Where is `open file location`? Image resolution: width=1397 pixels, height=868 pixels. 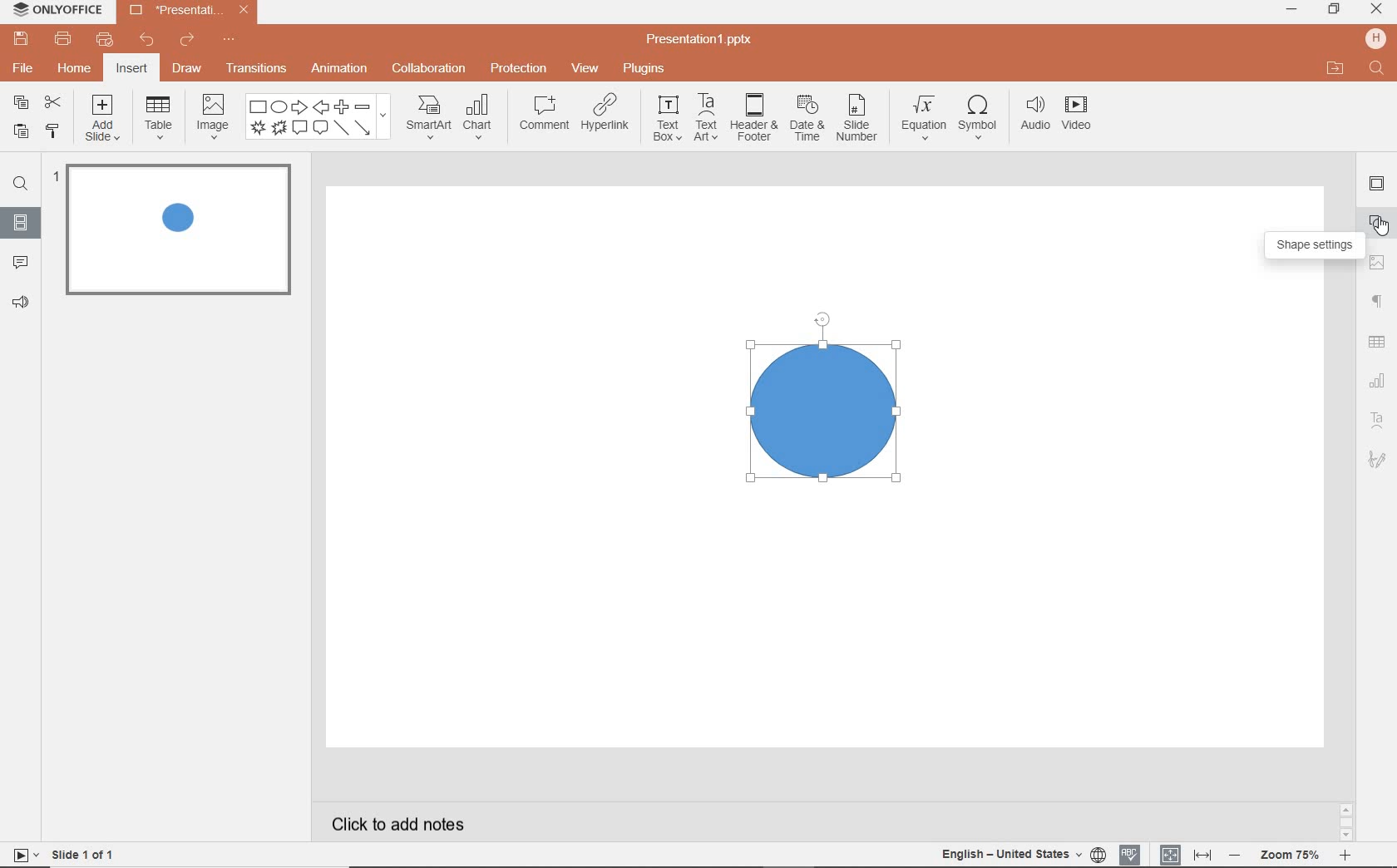
open file location is located at coordinates (1337, 70).